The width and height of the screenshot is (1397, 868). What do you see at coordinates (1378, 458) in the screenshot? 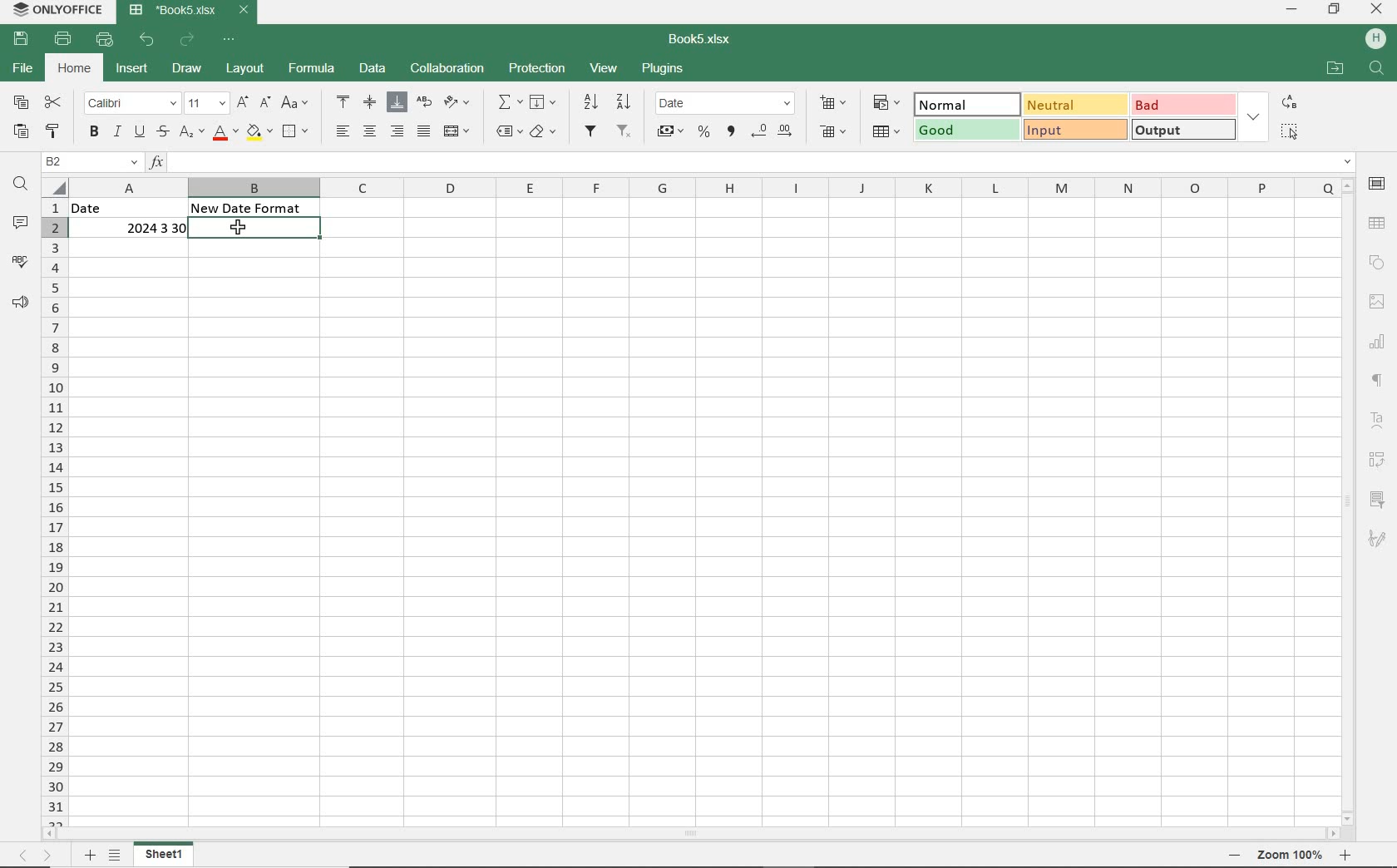
I see `PIVOT TABLE` at bounding box center [1378, 458].